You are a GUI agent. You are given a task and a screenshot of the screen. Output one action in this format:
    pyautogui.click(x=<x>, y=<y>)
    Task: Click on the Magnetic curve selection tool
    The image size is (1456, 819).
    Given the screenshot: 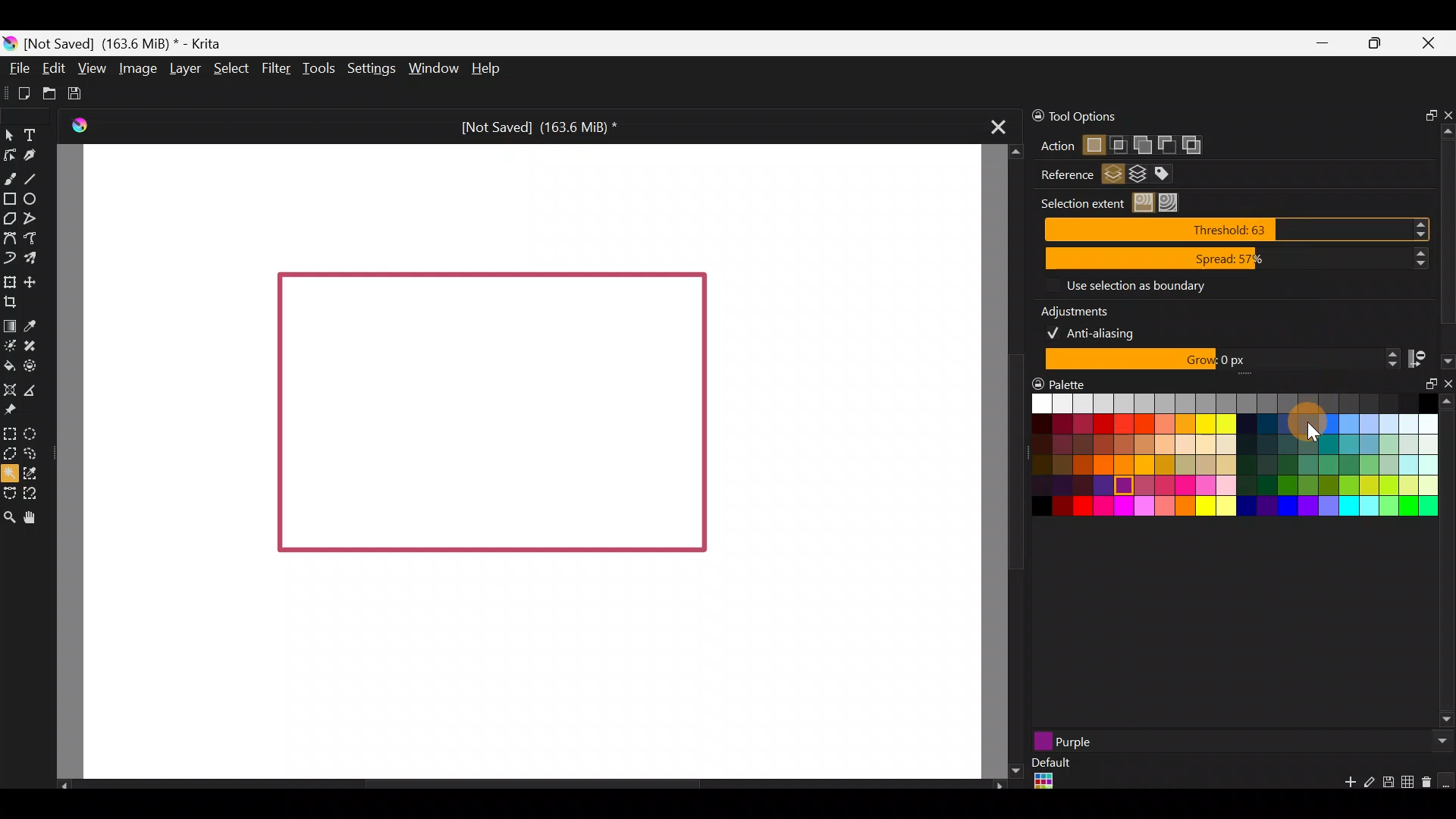 What is the action you would take?
    pyautogui.click(x=33, y=490)
    